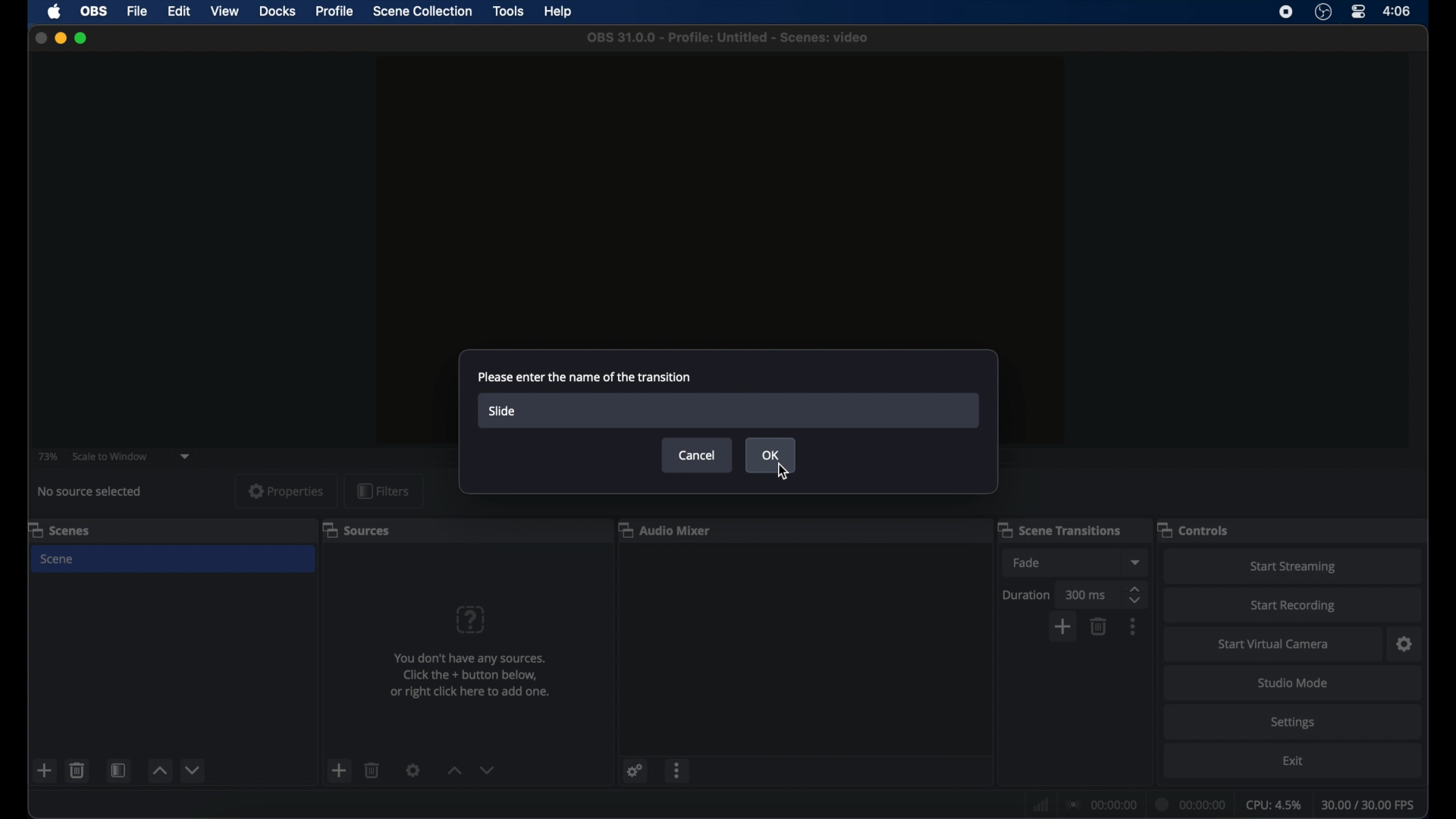 Image resolution: width=1456 pixels, height=819 pixels. I want to click on obs, so click(93, 11).